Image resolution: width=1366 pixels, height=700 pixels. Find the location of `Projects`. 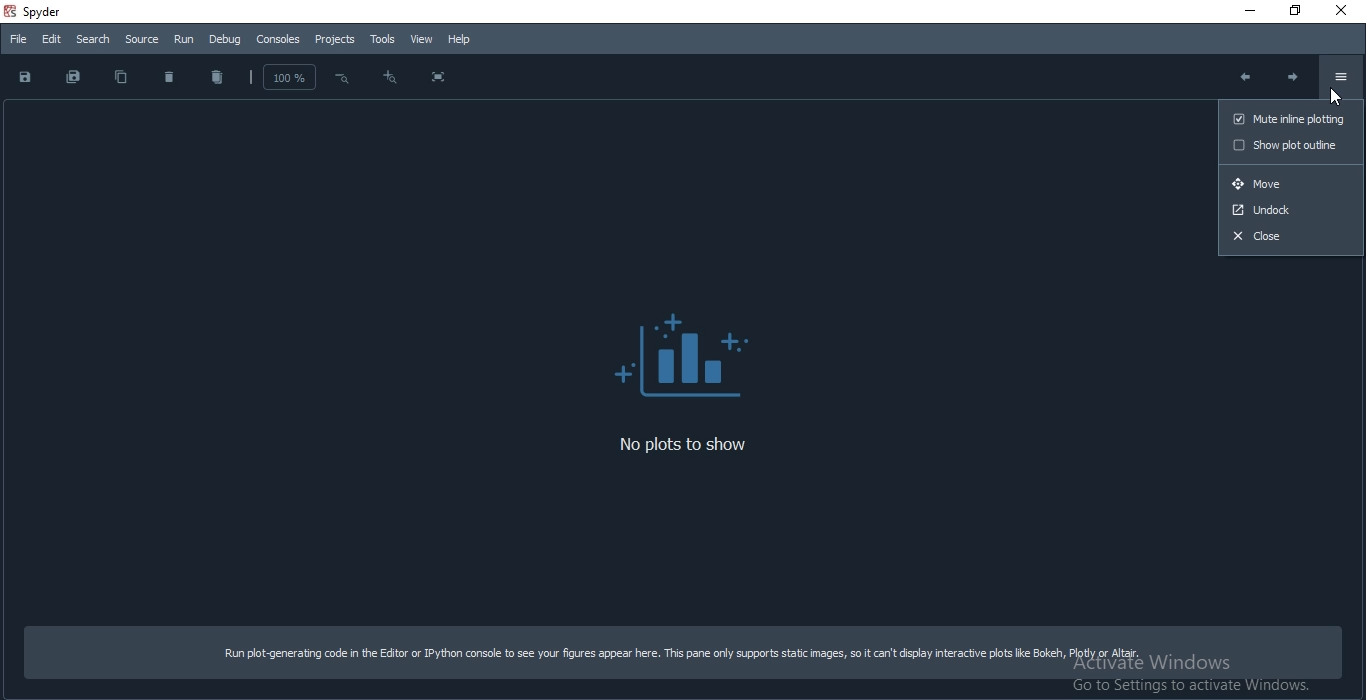

Projects is located at coordinates (335, 39).